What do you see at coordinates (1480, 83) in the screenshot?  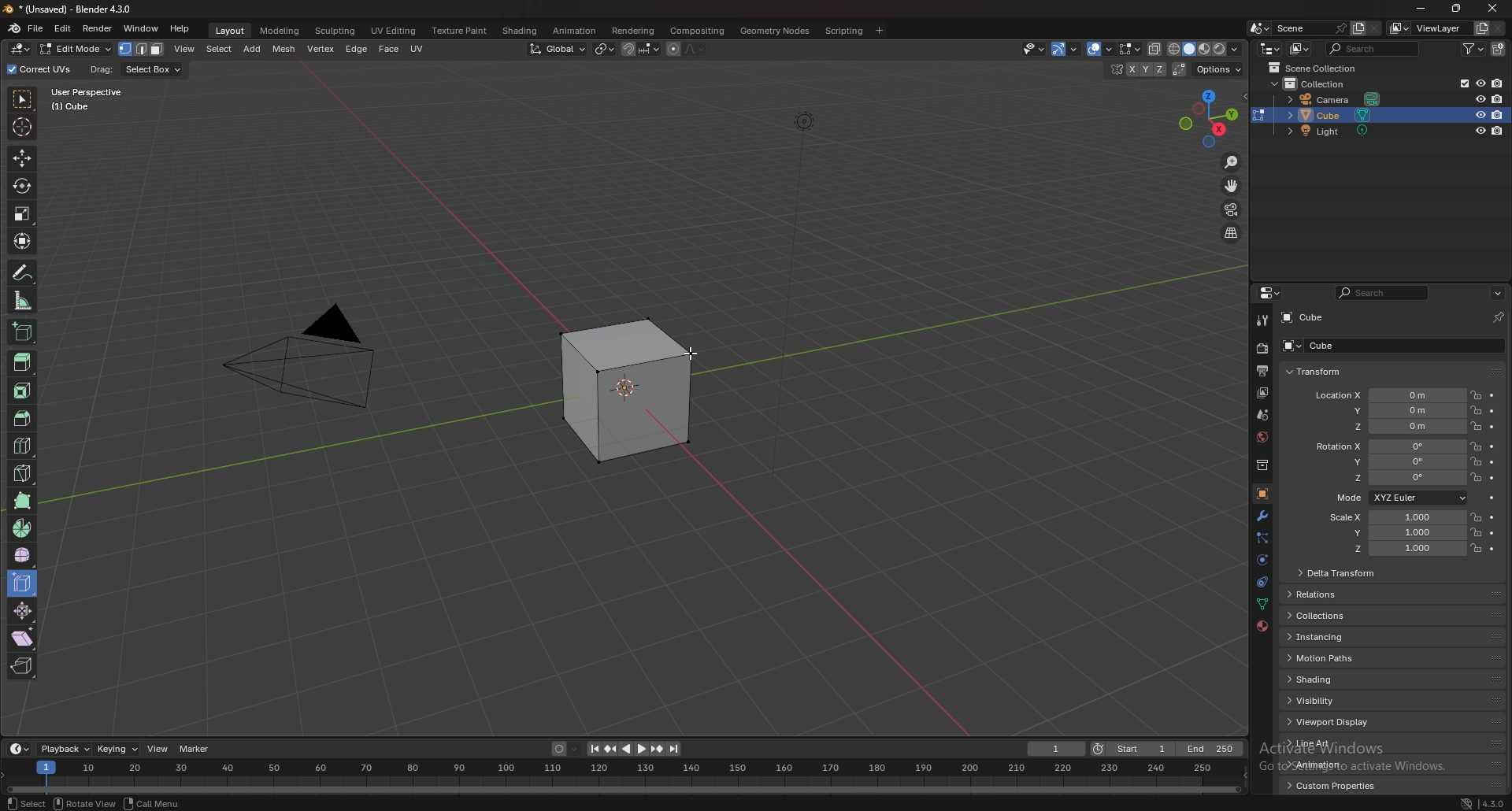 I see `hide in viewport` at bounding box center [1480, 83].